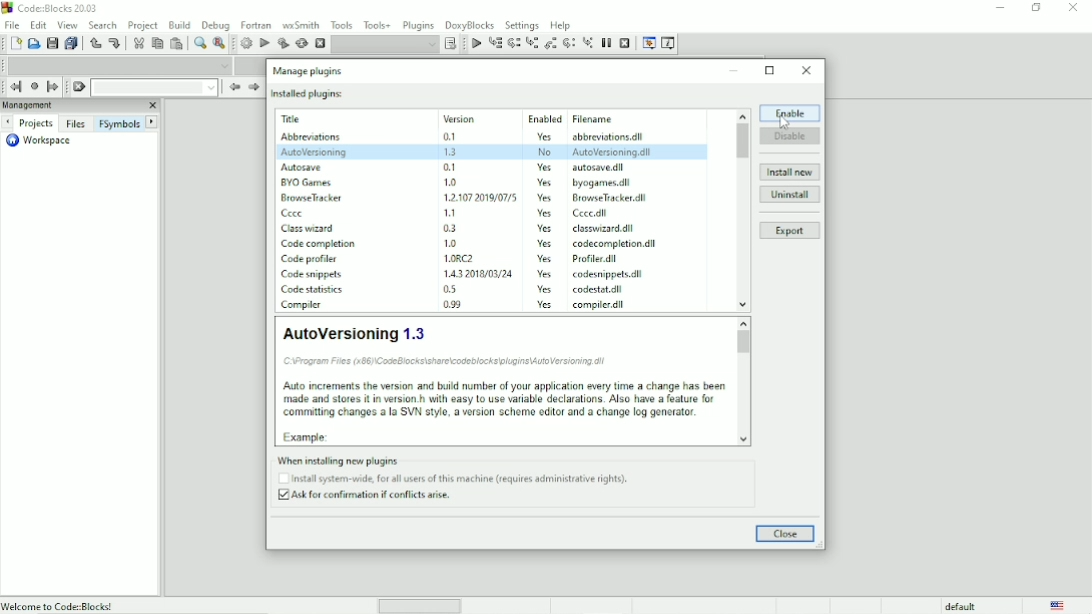 Image resolution: width=1092 pixels, height=614 pixels. I want to click on Yes, so click(547, 198).